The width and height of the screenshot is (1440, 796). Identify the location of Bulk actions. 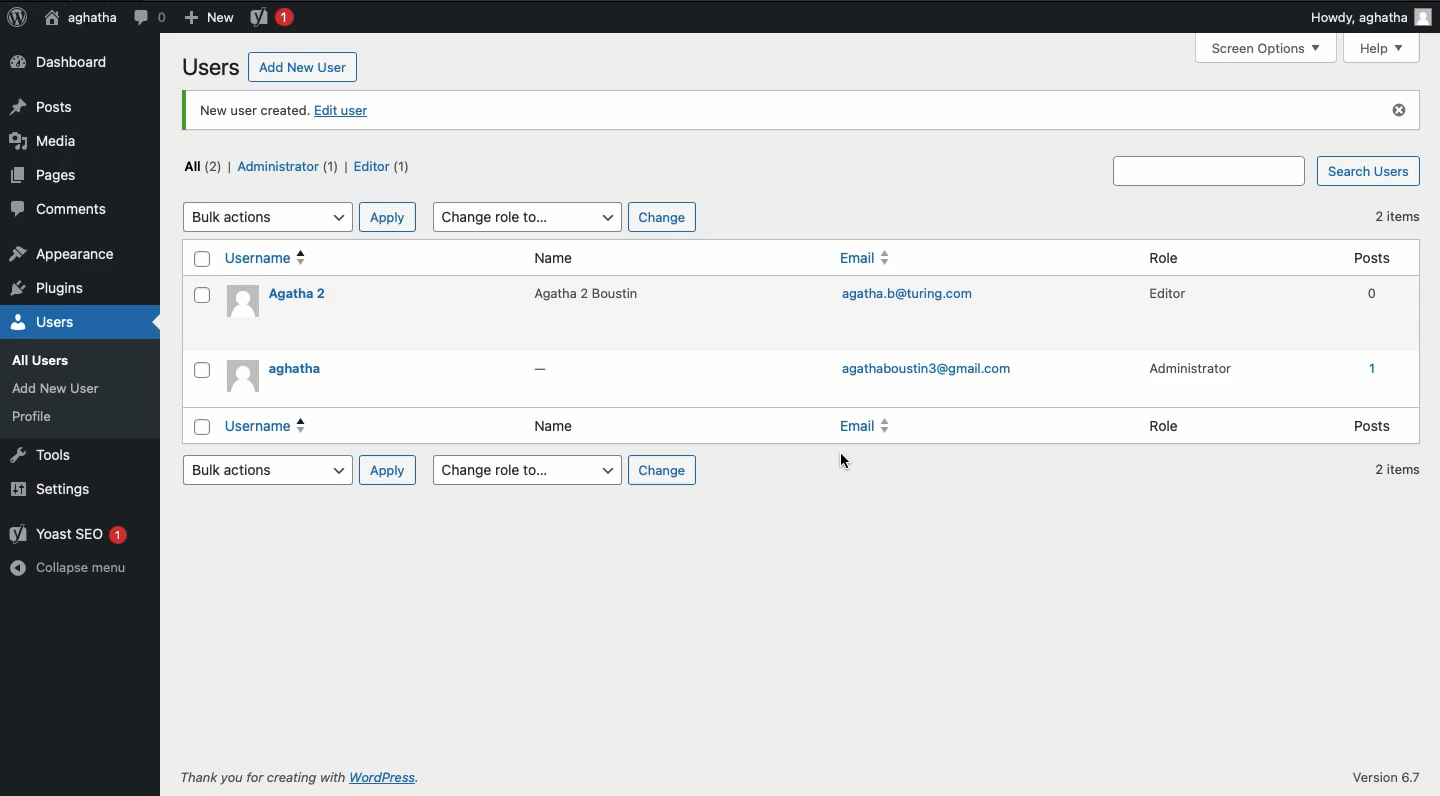
(265, 469).